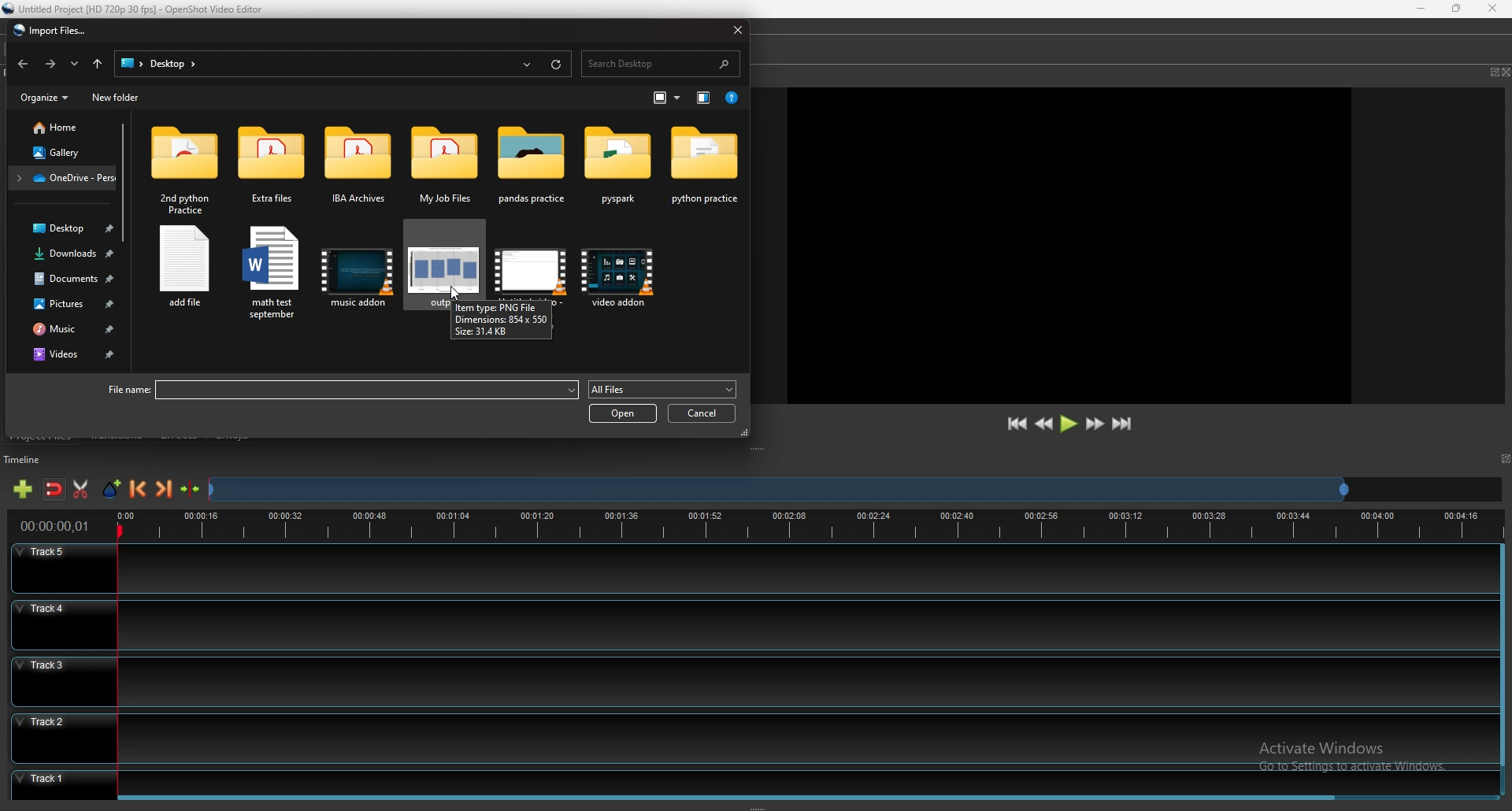 Image resolution: width=1512 pixels, height=811 pixels. I want to click on downloads, so click(65, 254).